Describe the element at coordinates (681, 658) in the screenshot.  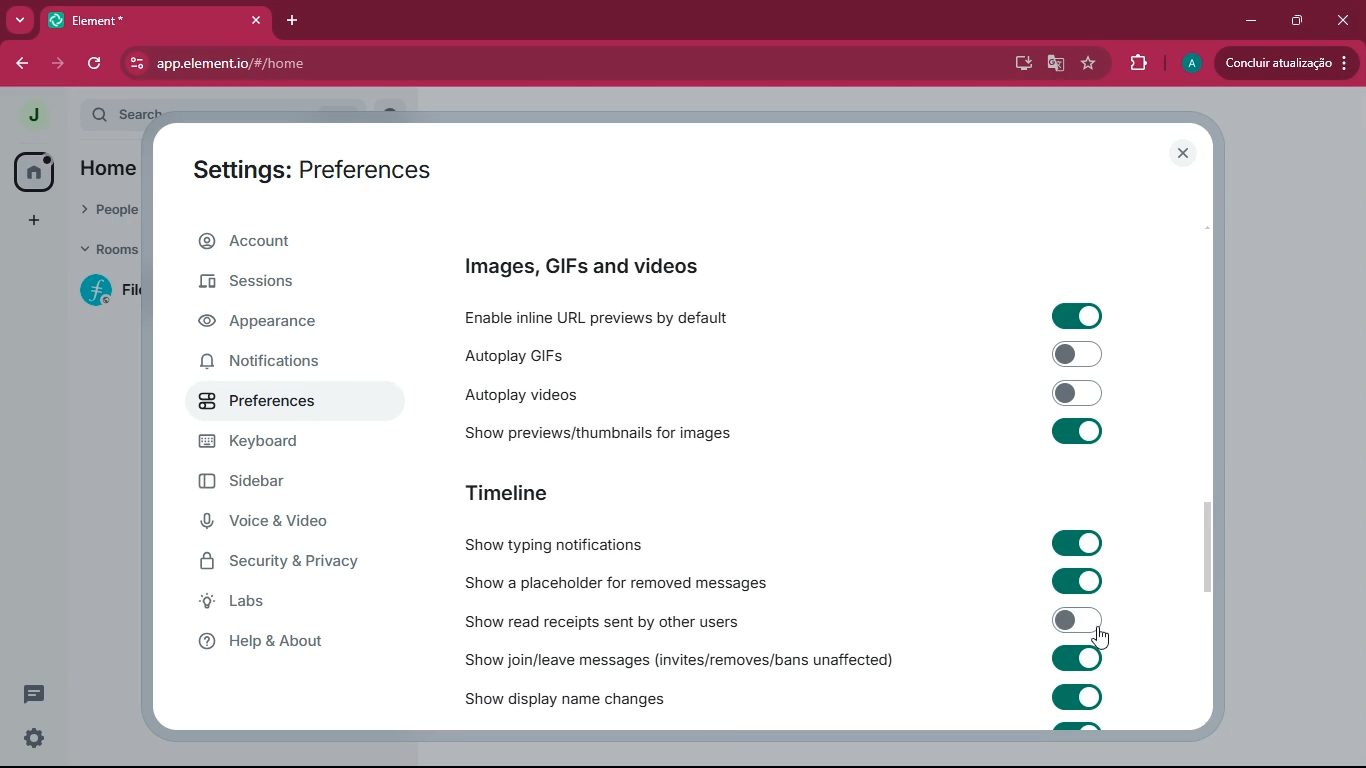
I see `show join/leave messages (invites/removes/bans unaffected)` at that location.